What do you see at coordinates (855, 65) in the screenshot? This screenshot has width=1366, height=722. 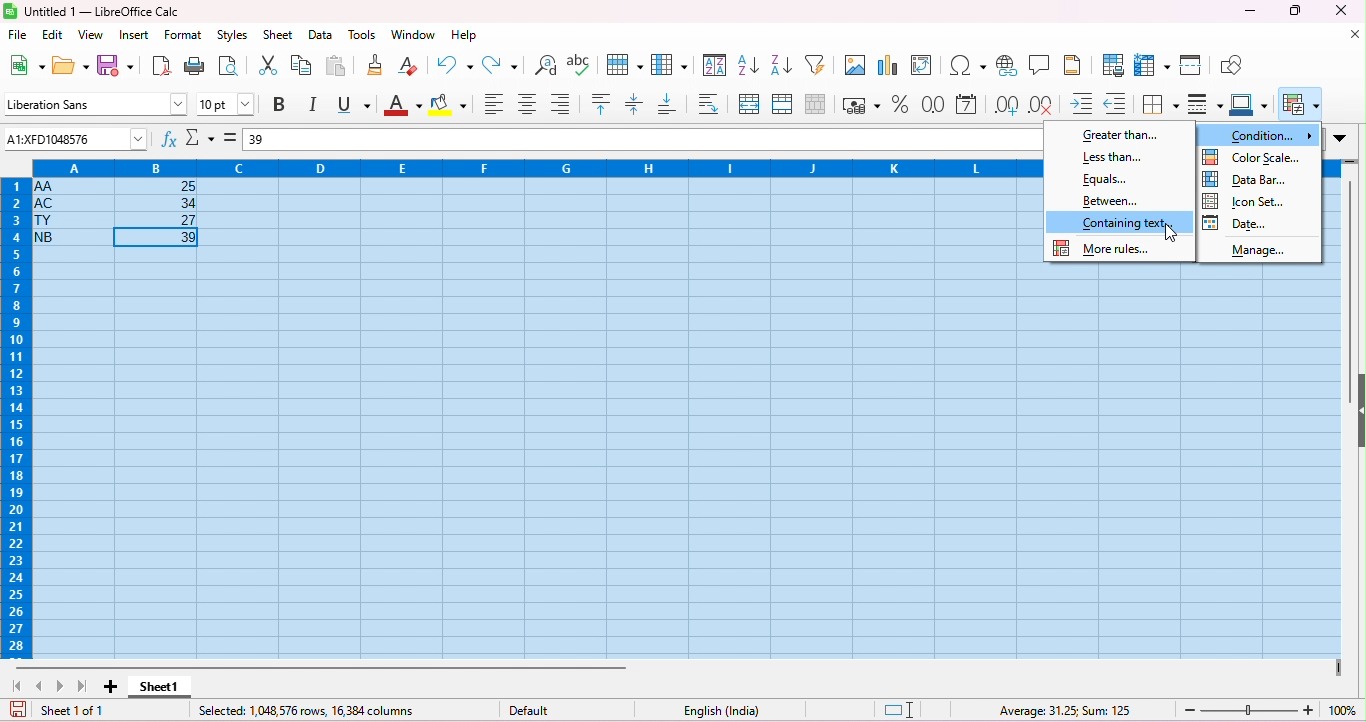 I see `insert image` at bounding box center [855, 65].